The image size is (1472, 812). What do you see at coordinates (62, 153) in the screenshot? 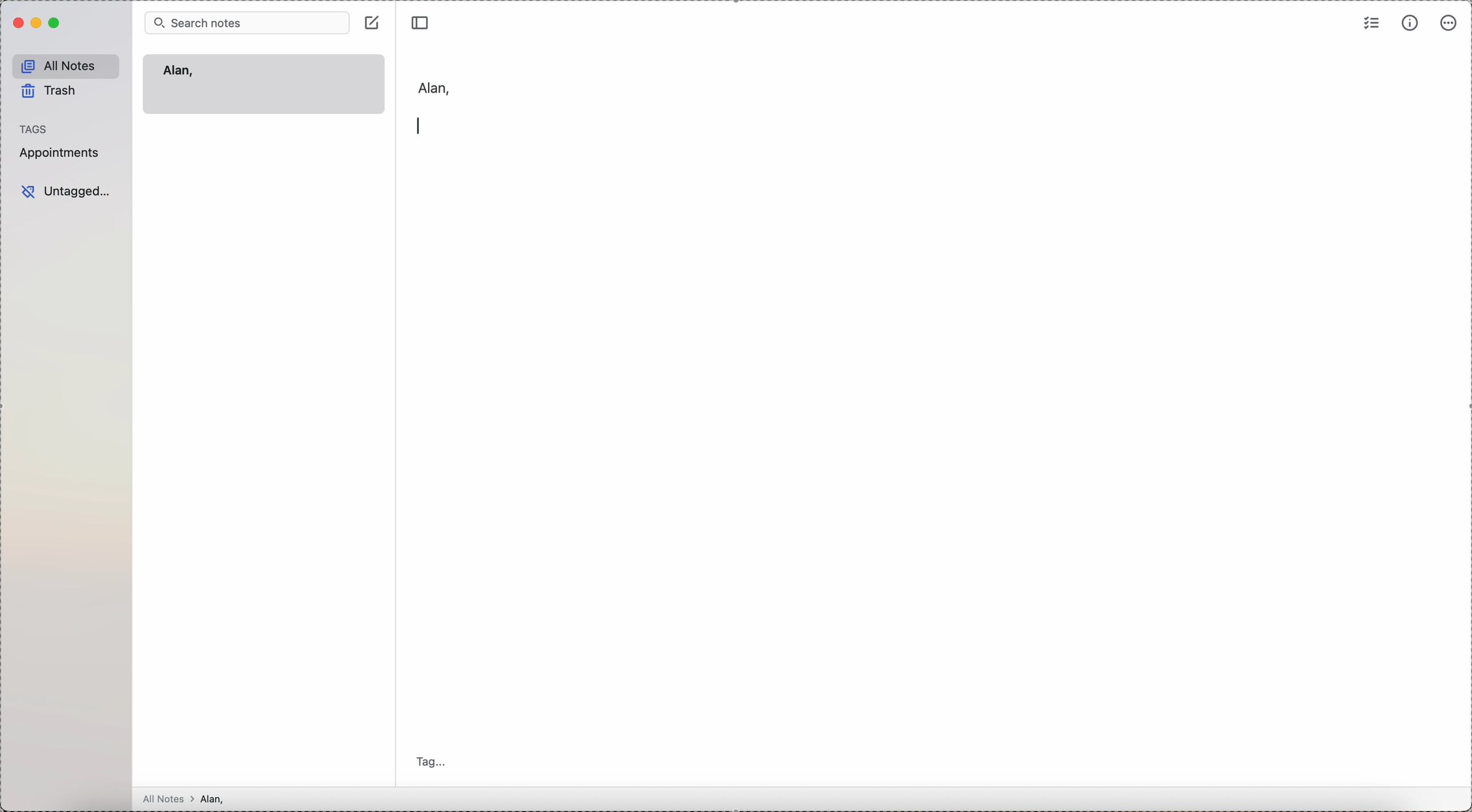
I see `appointments` at bounding box center [62, 153].